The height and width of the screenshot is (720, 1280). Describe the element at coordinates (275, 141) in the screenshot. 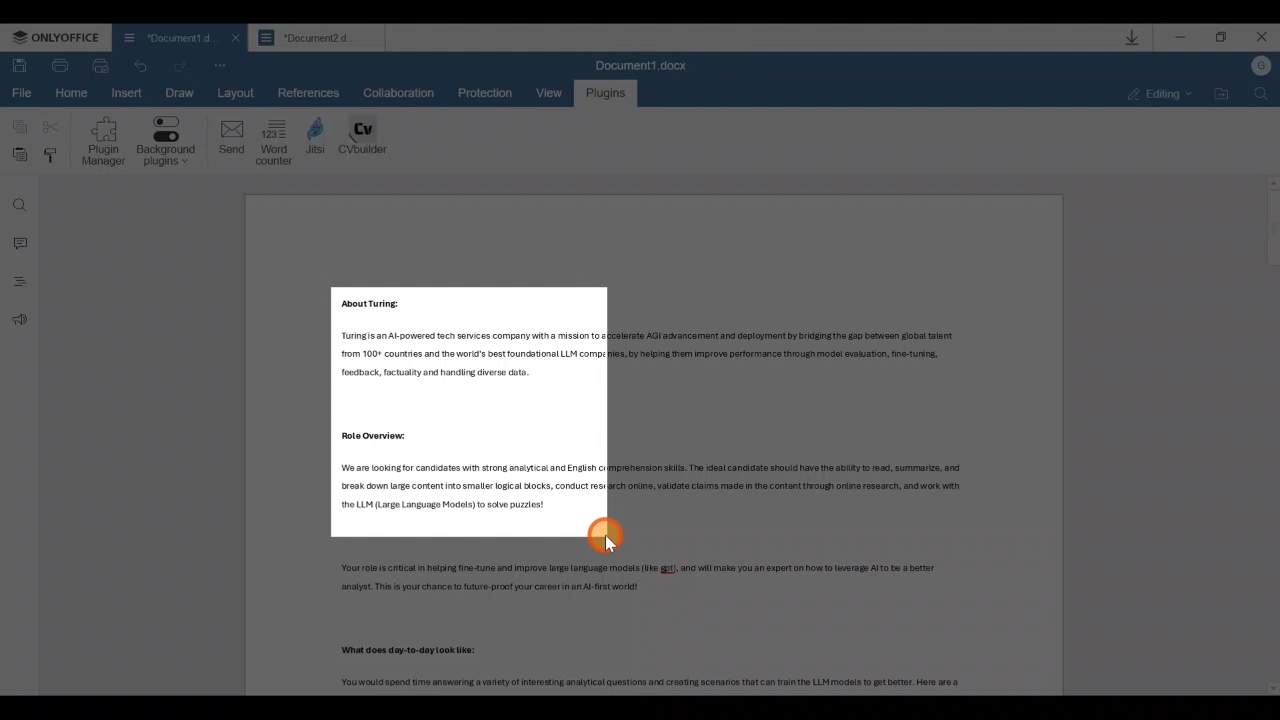

I see `Word counter` at that location.